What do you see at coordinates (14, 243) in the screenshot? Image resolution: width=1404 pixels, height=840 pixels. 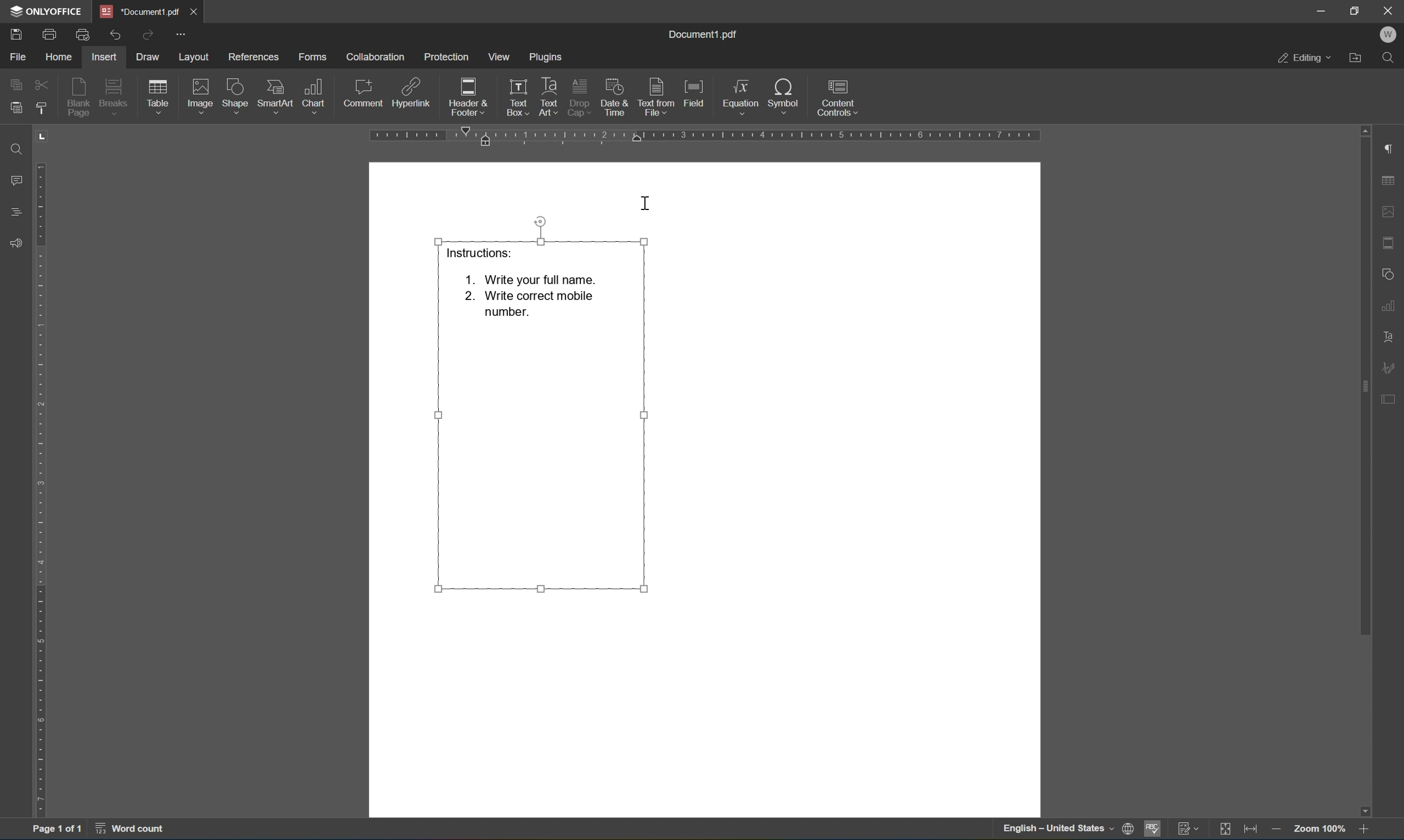 I see `Feedback and support` at bounding box center [14, 243].